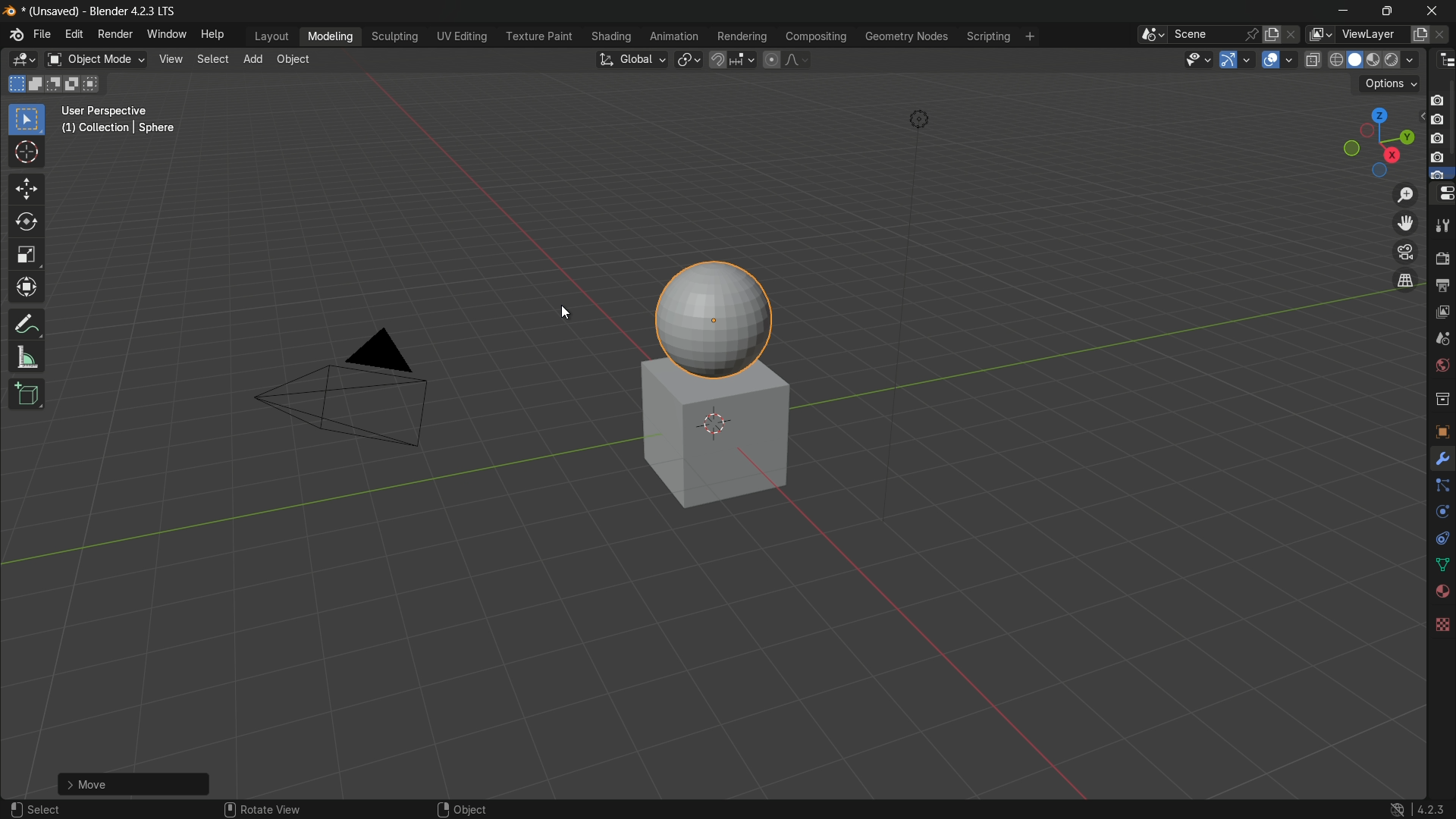  Describe the element at coordinates (27, 120) in the screenshot. I see `select box` at that location.